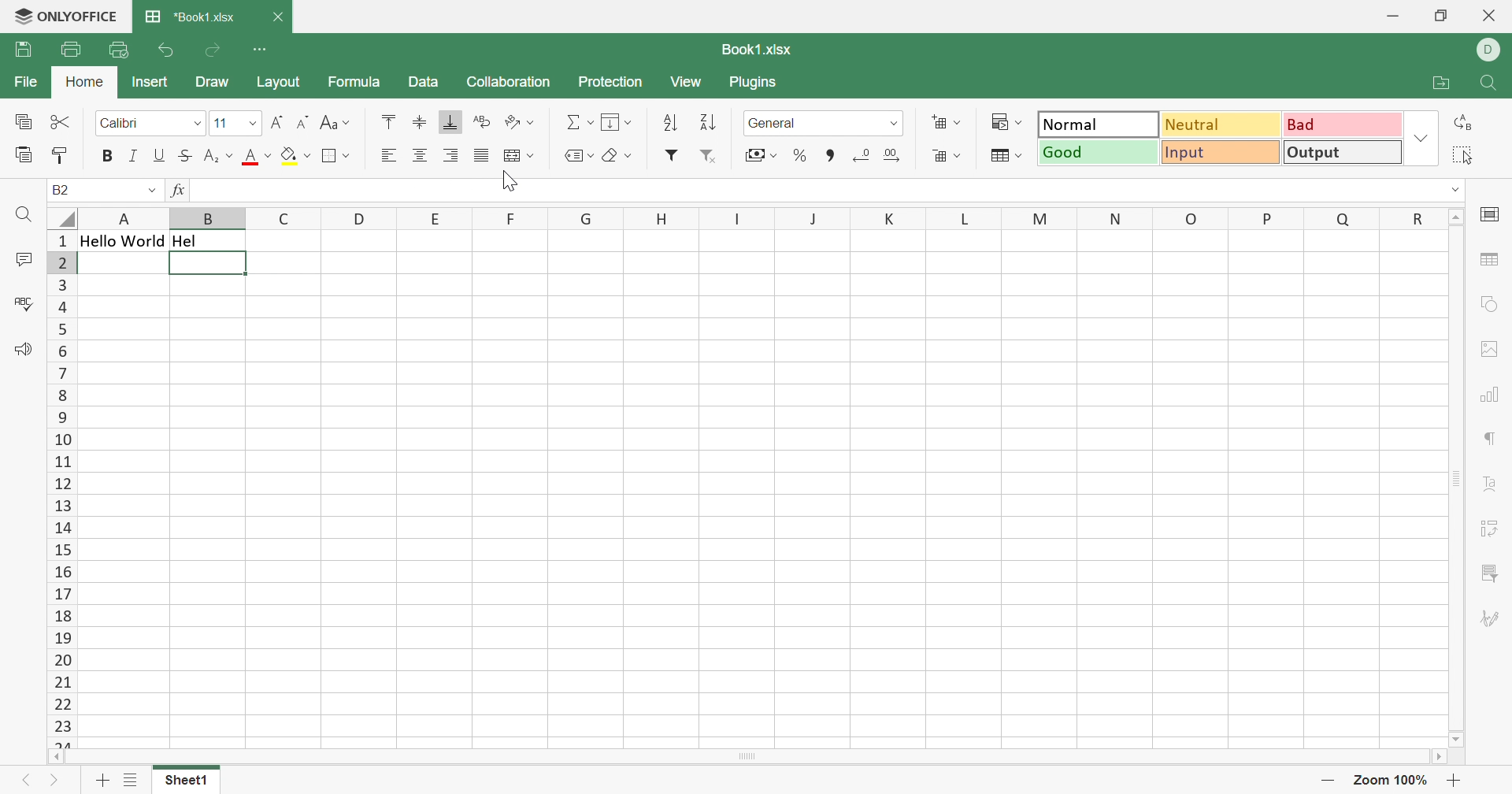 This screenshot has height=794, width=1512. I want to click on Scroll right, so click(1437, 755).